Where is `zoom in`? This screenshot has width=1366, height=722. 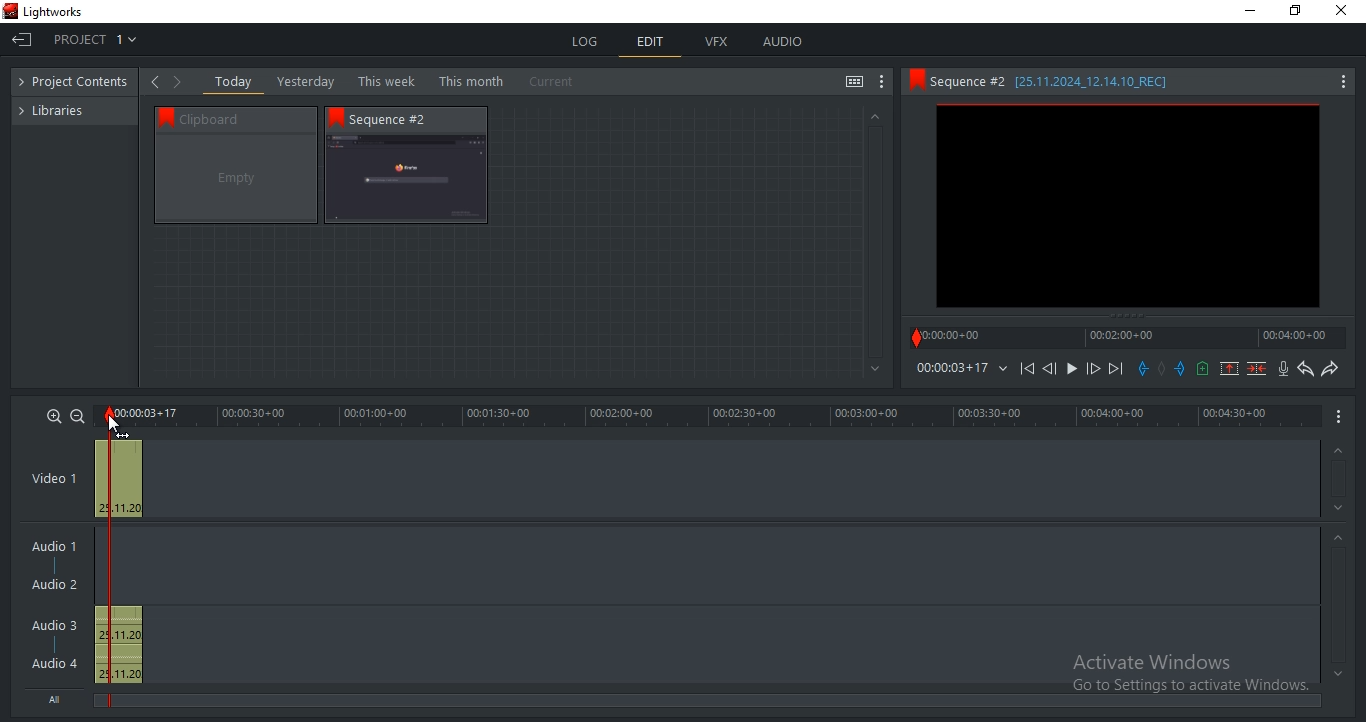 zoom in is located at coordinates (54, 415).